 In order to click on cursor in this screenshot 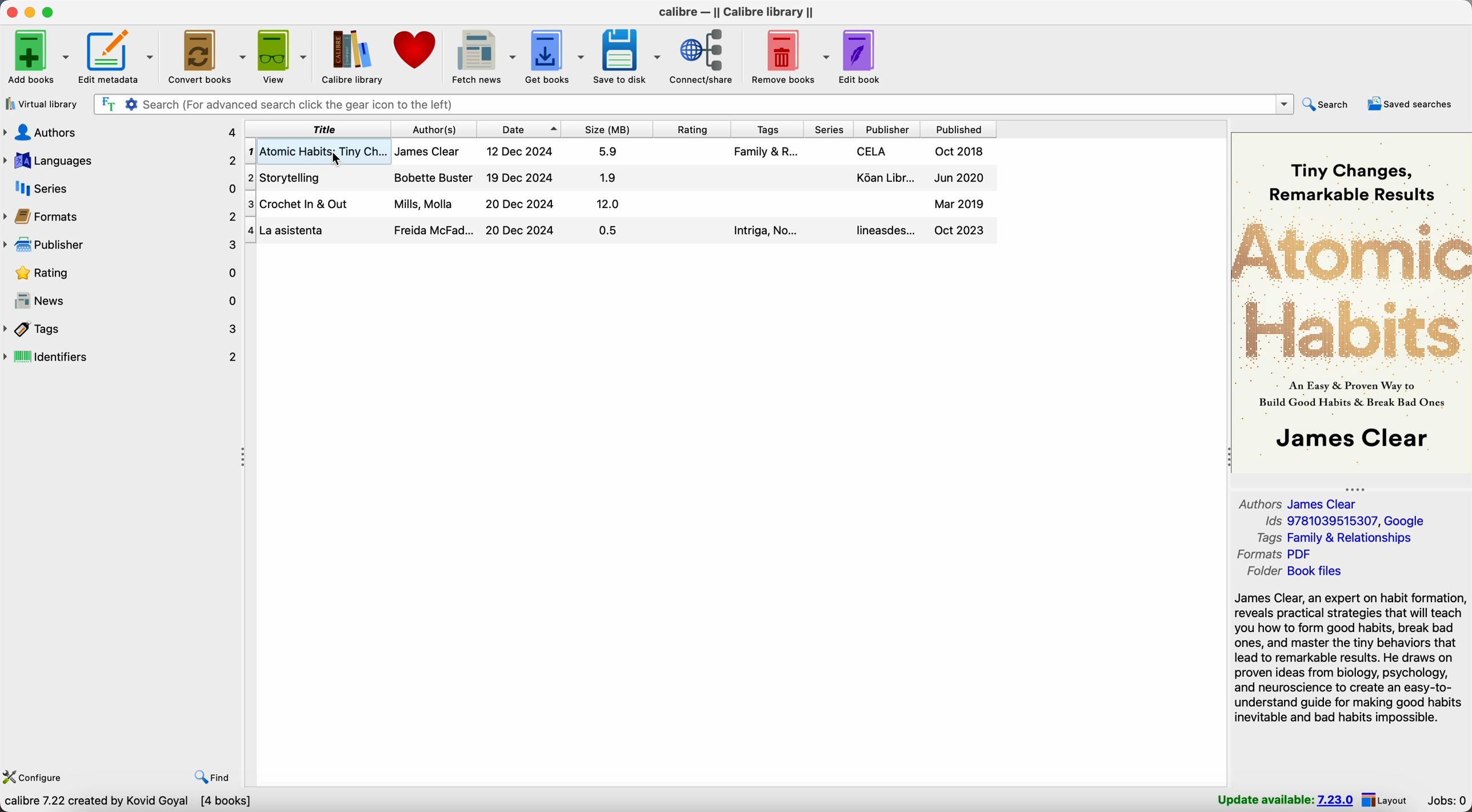, I will do `click(331, 157)`.